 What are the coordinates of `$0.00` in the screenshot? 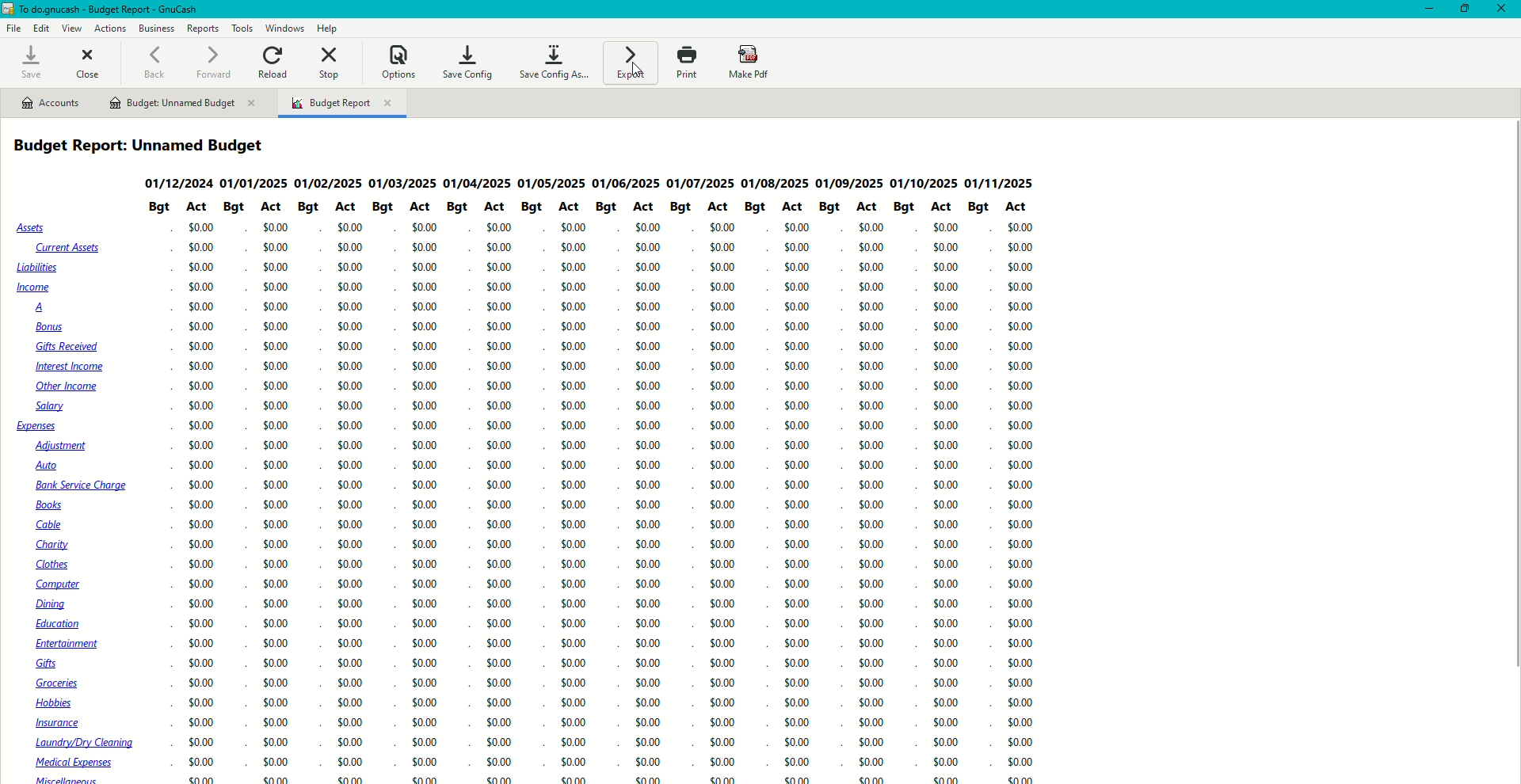 It's located at (423, 269).